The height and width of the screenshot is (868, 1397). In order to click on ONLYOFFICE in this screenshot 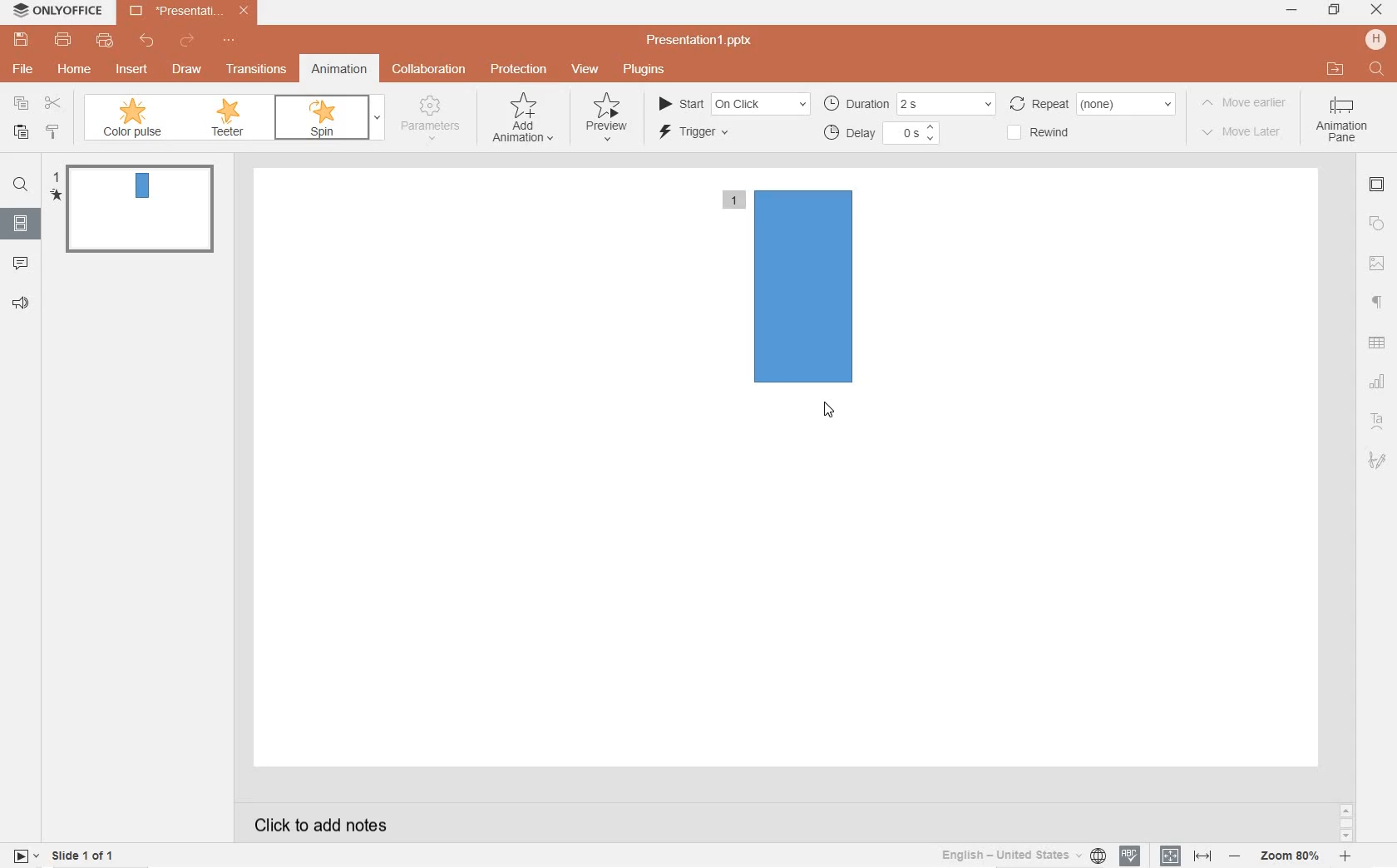, I will do `click(59, 13)`.